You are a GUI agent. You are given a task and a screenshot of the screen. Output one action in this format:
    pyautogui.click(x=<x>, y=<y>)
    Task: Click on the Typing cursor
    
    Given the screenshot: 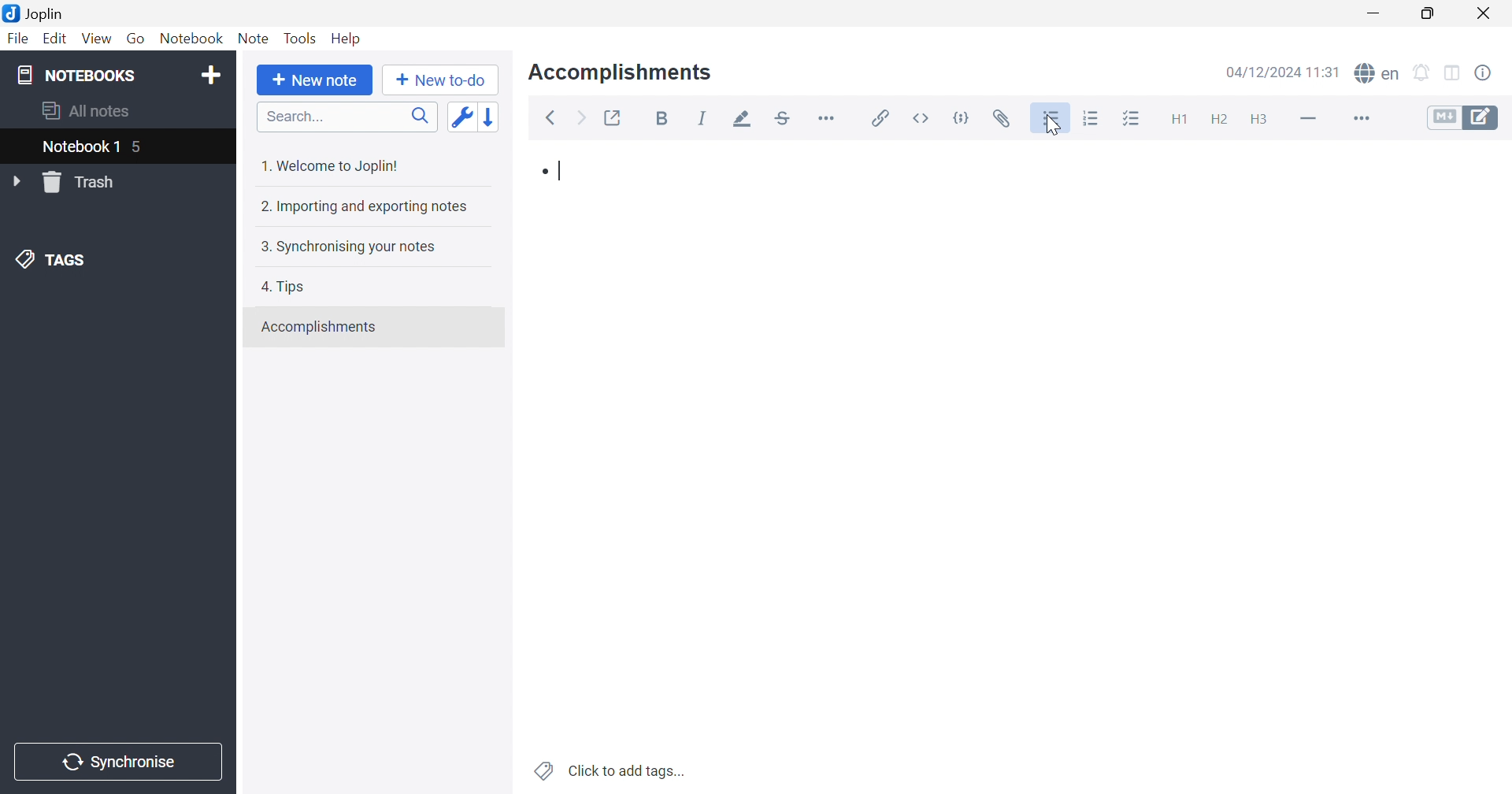 What is the action you would take?
    pyautogui.click(x=561, y=171)
    